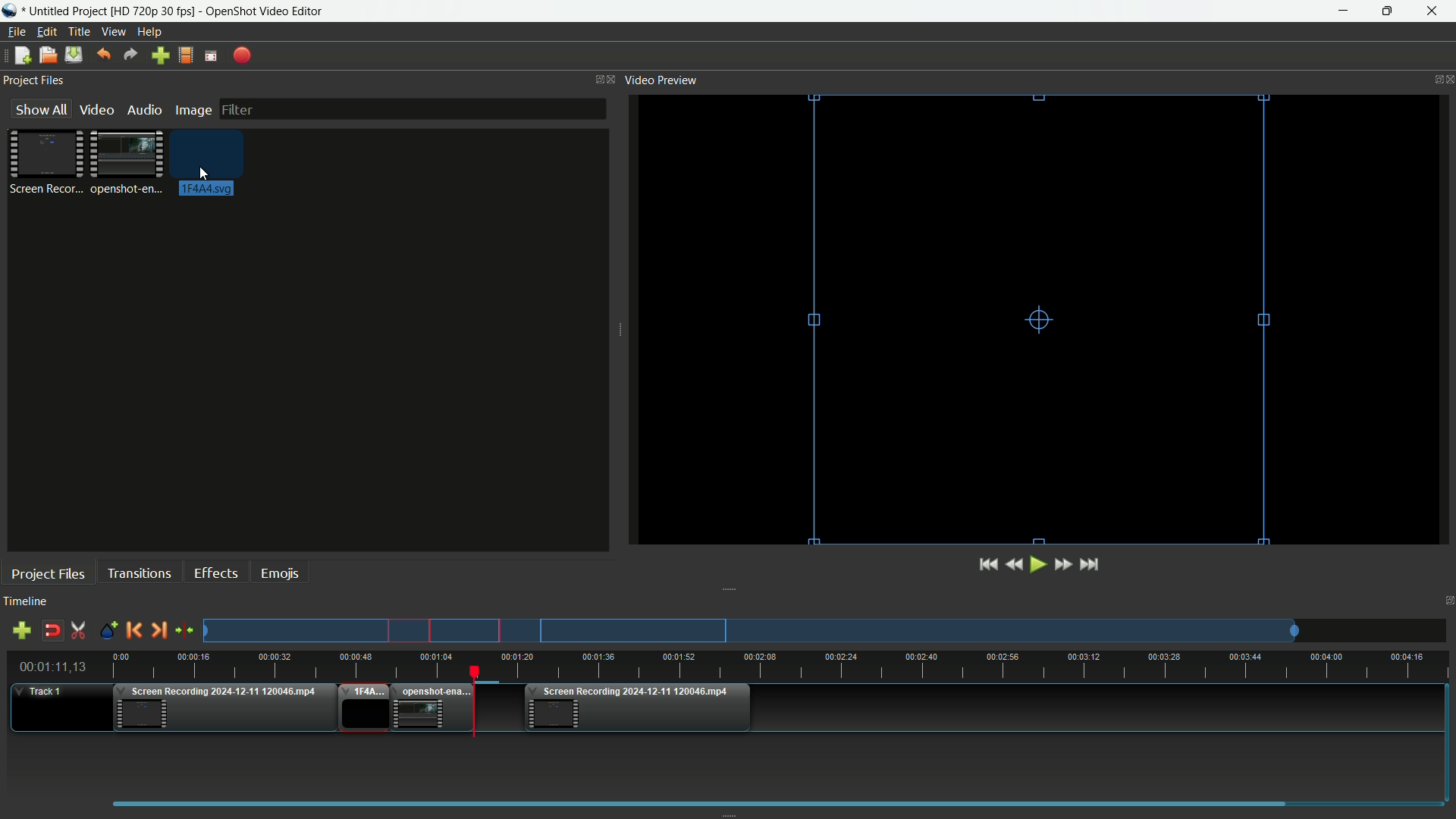 Image resolution: width=1456 pixels, height=819 pixels. Describe the element at coordinates (661, 79) in the screenshot. I see `Video preview` at that location.